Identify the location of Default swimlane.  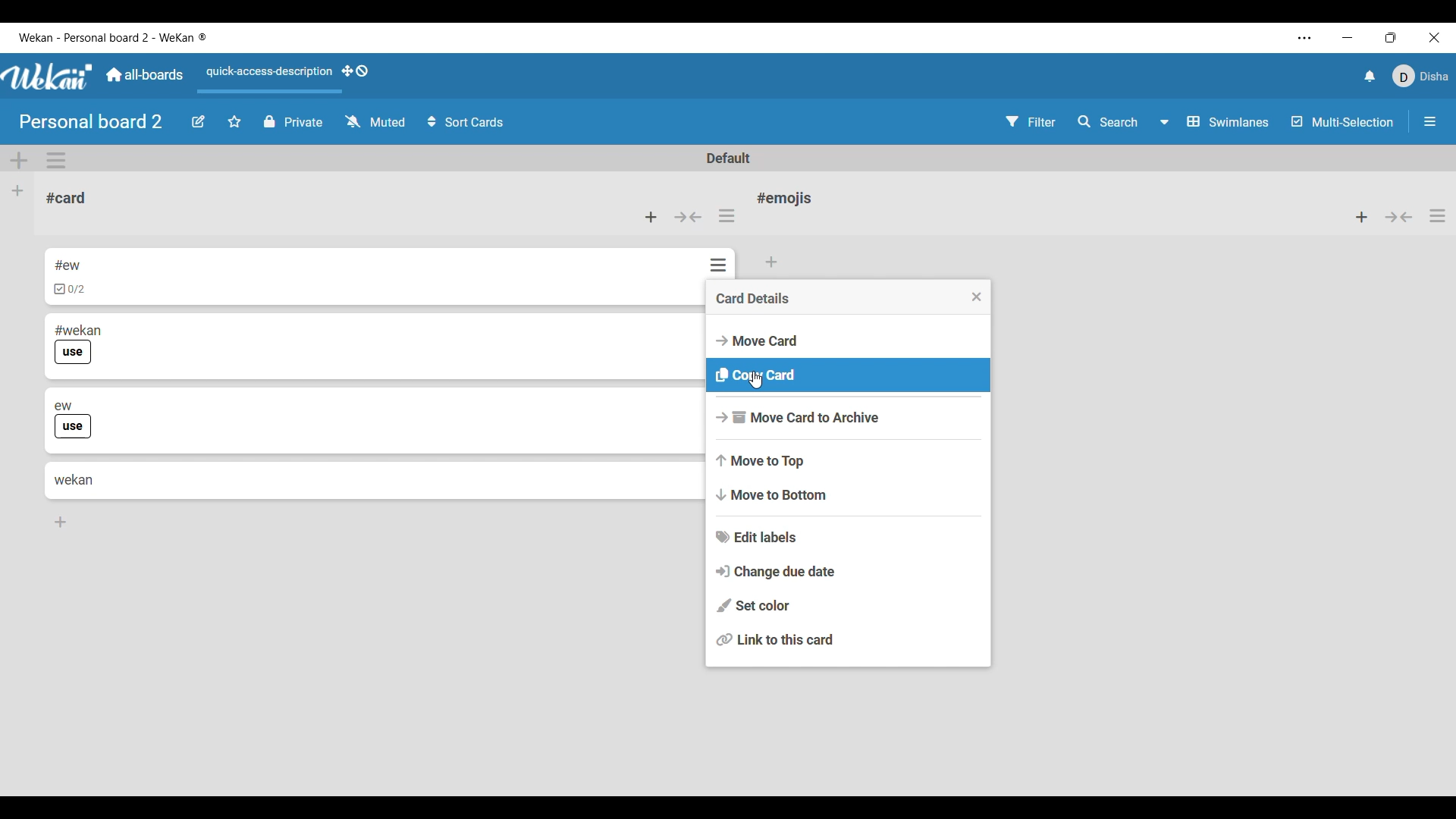
(730, 158).